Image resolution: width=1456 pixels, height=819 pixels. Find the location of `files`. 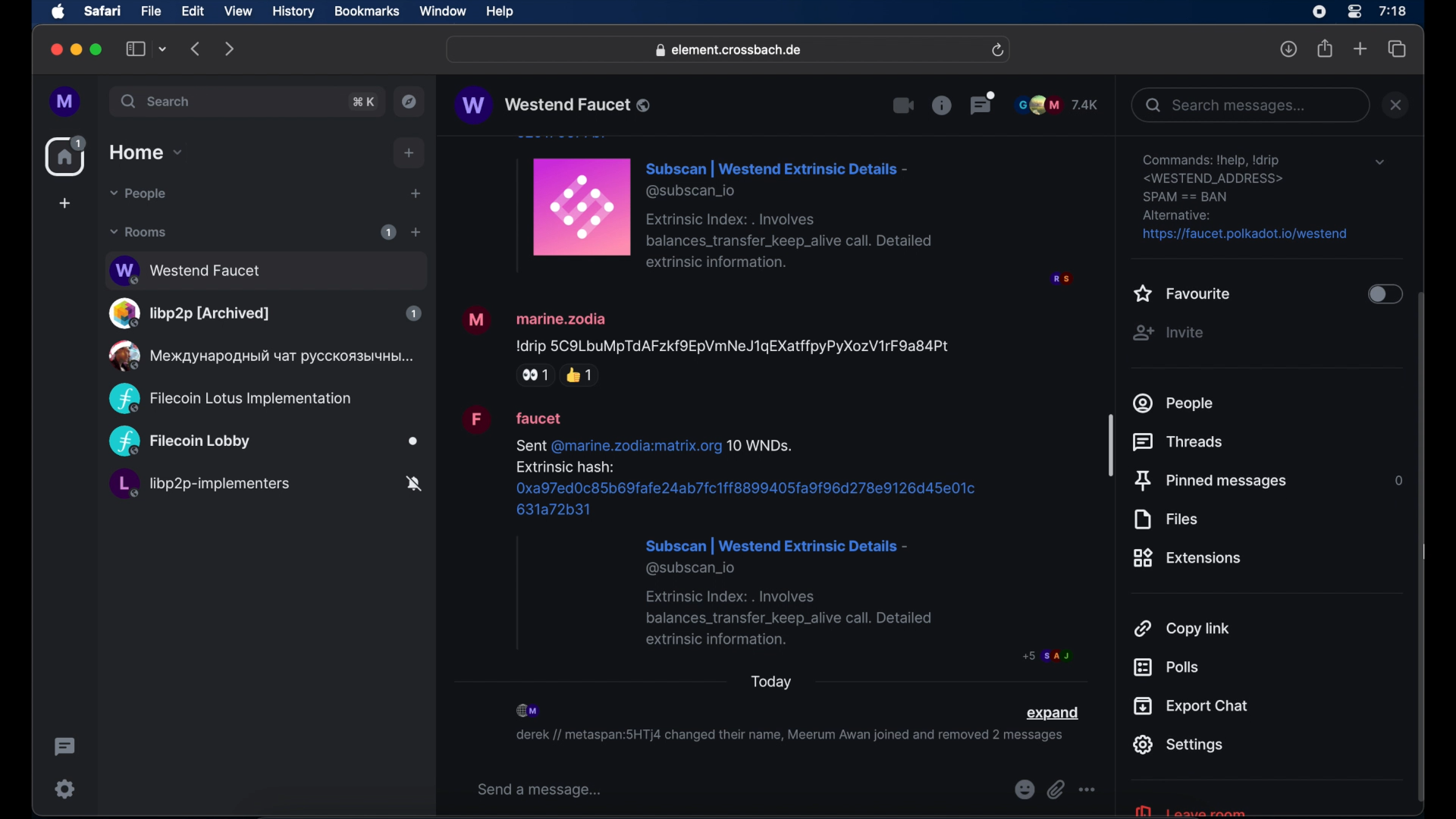

files is located at coordinates (1165, 519).